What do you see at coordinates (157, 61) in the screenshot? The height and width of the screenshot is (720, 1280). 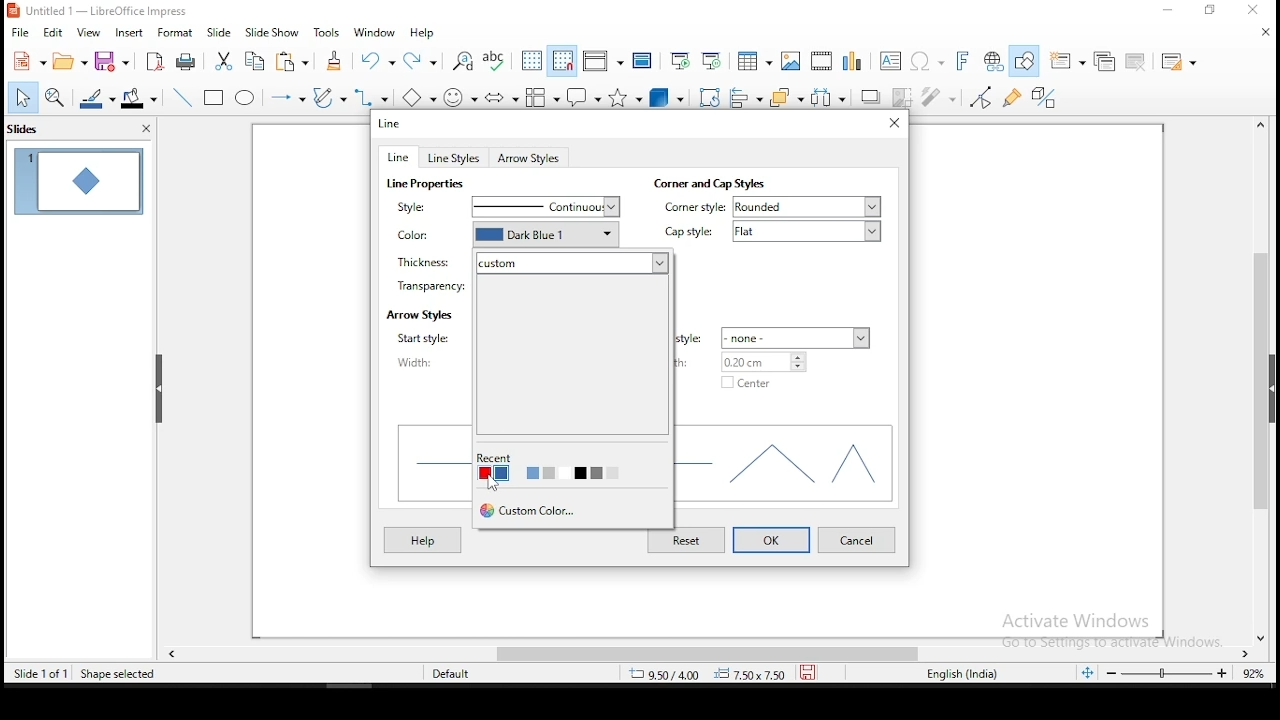 I see `export as pdf` at bounding box center [157, 61].